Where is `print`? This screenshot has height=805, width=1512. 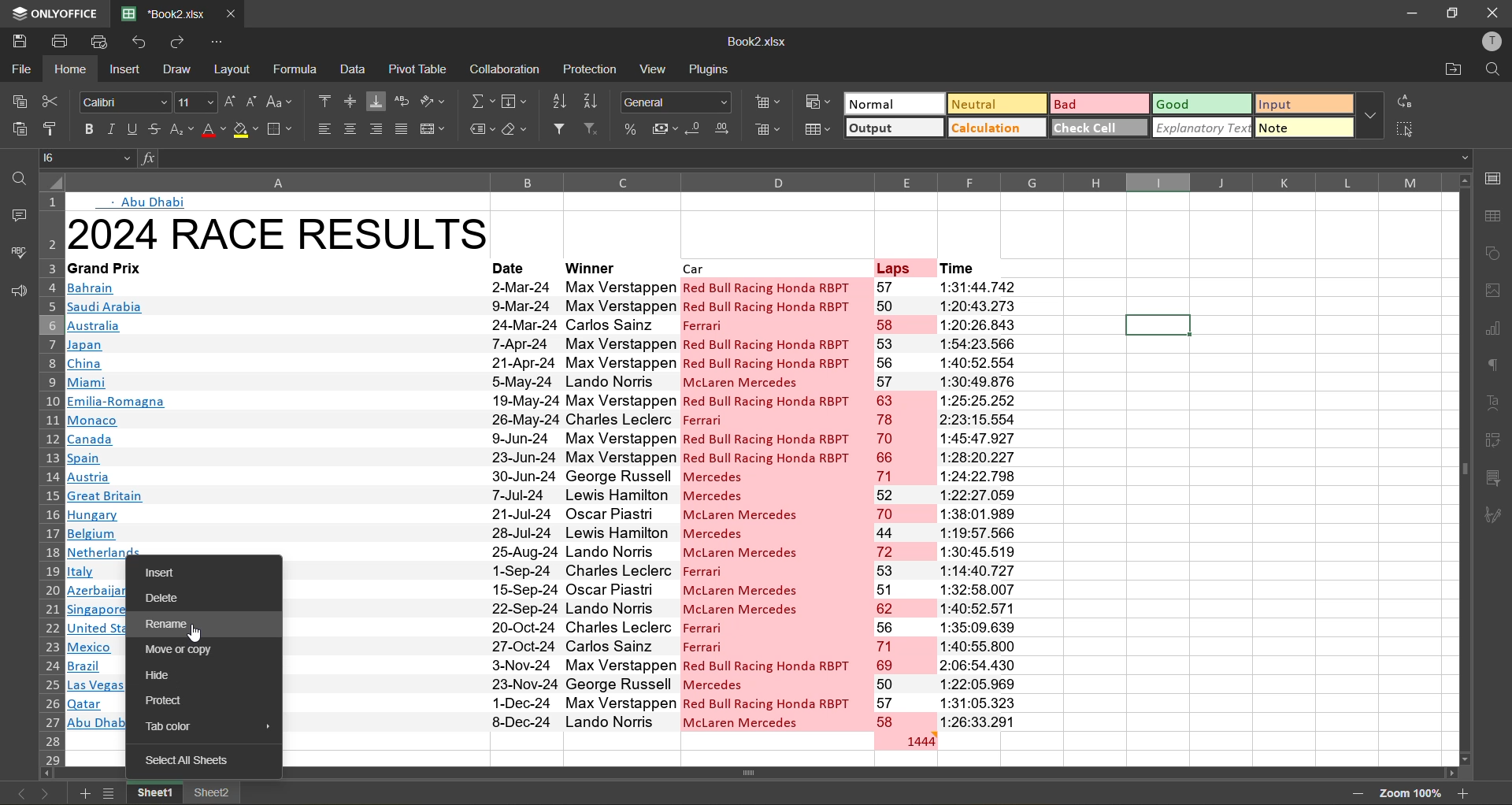 print is located at coordinates (58, 42).